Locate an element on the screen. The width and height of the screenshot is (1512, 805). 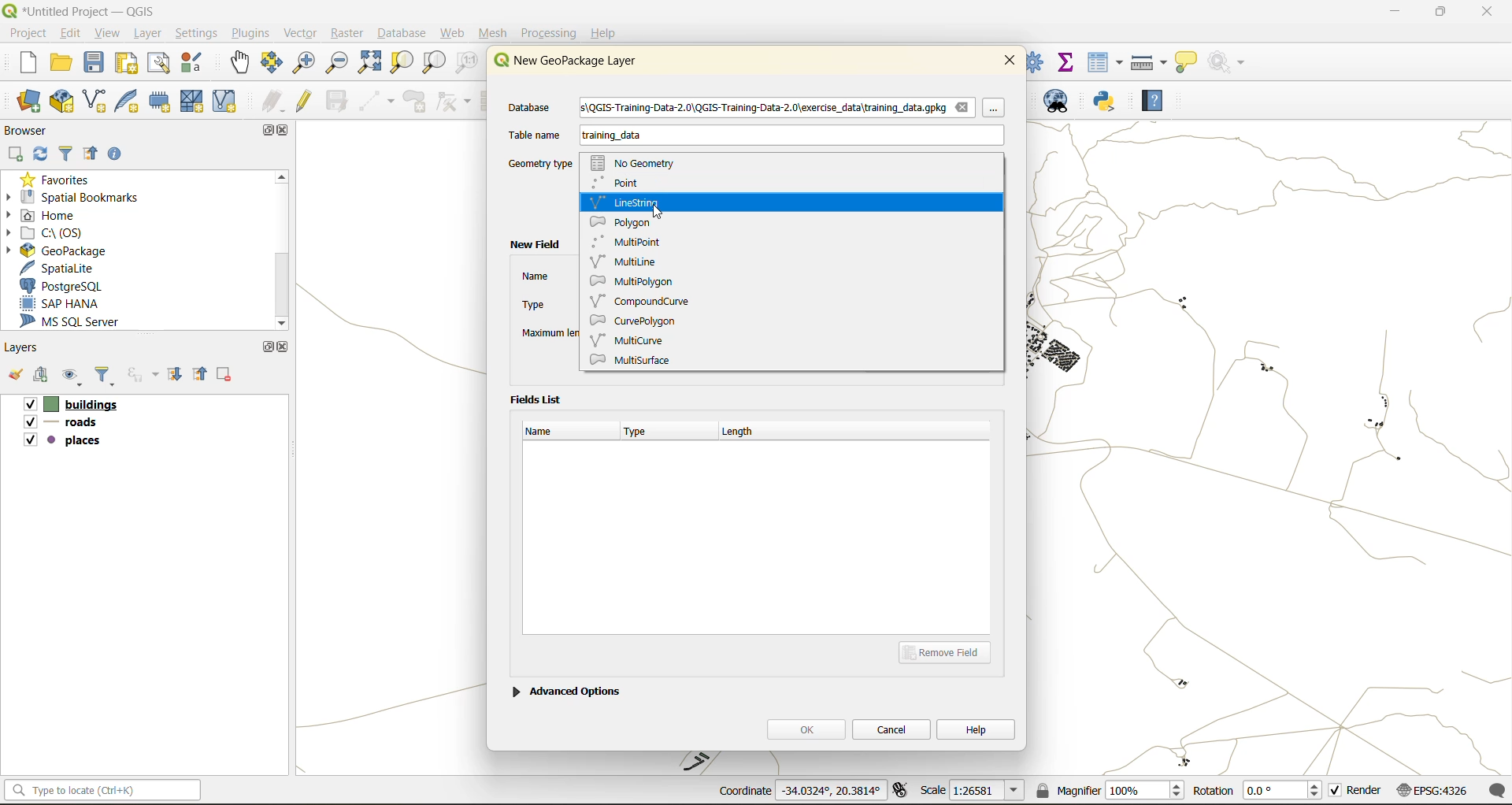
multipolygon is located at coordinates (634, 282).